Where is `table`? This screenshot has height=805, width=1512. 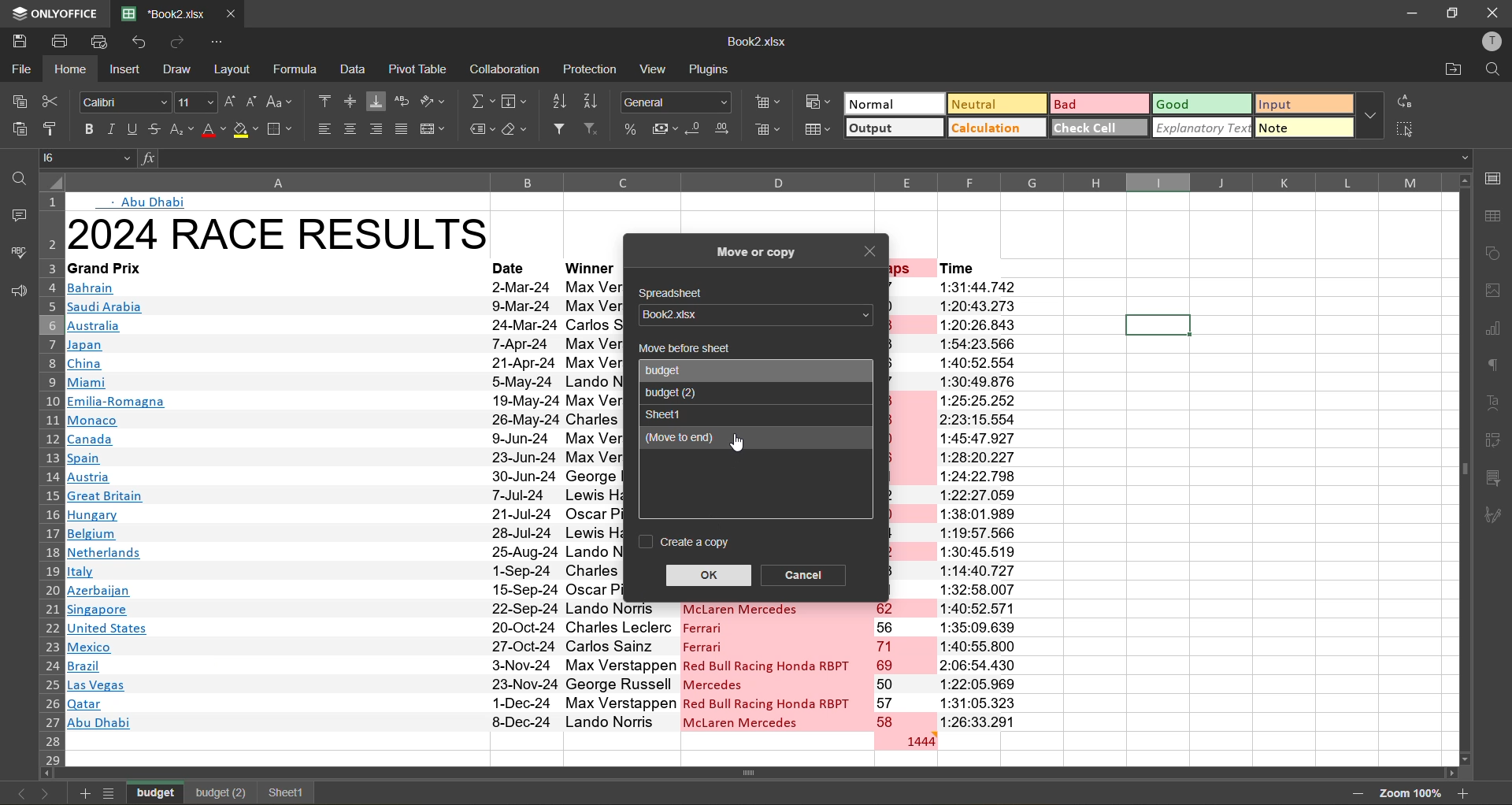 table is located at coordinates (1497, 216).